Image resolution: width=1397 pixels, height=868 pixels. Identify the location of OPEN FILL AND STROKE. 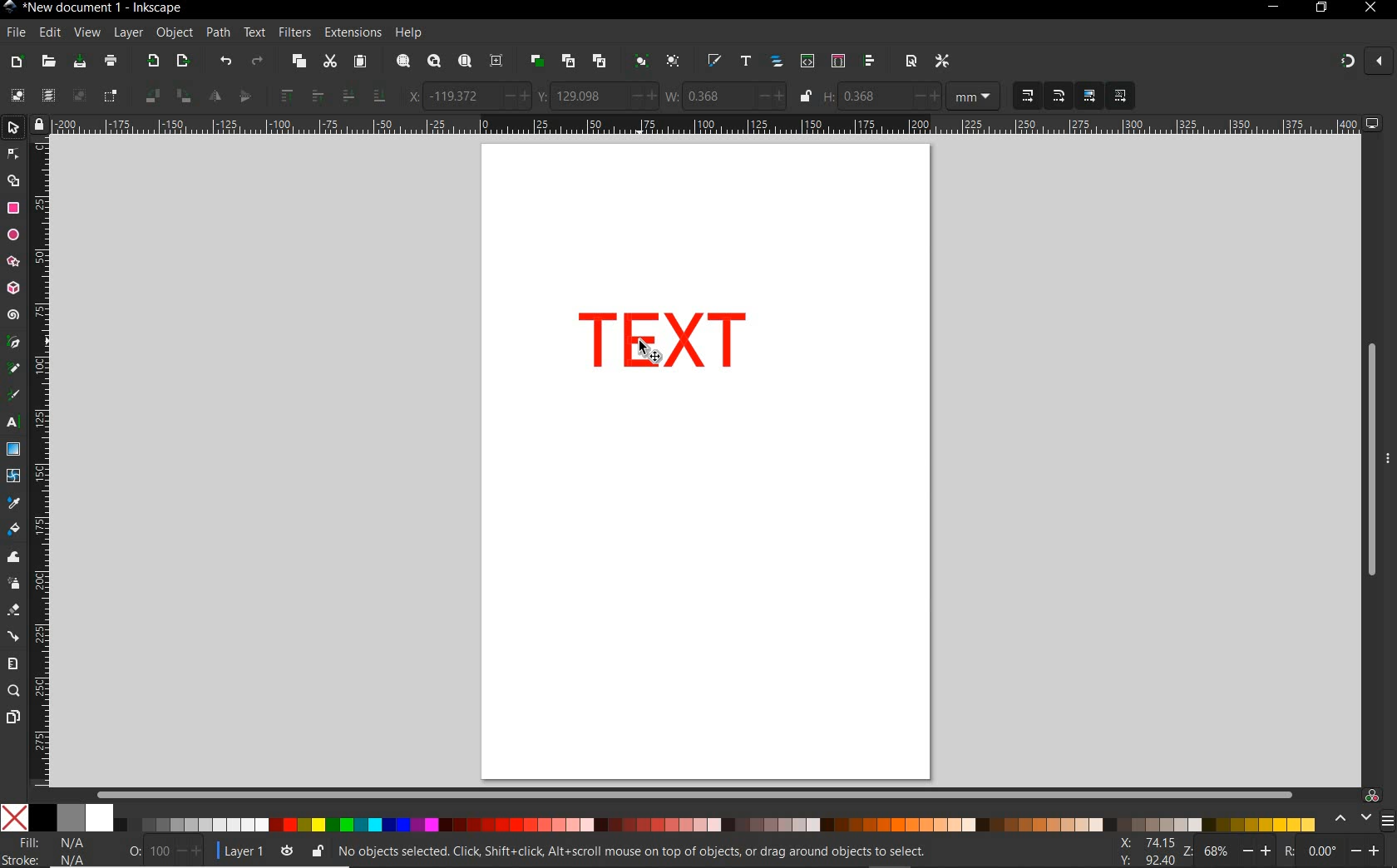
(713, 62).